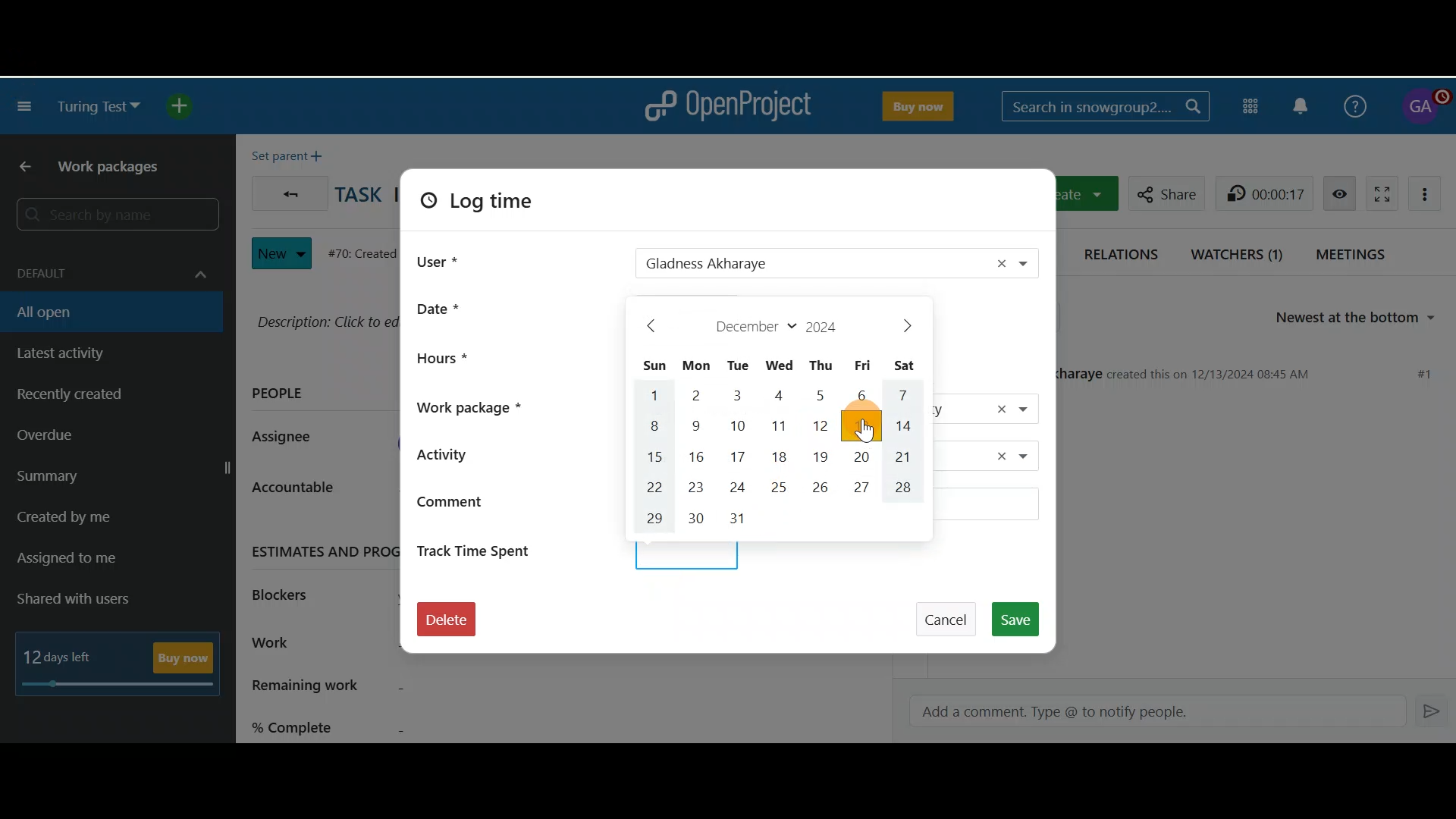 The width and height of the screenshot is (1456, 819). What do you see at coordinates (1032, 458) in the screenshot?
I see `Activity dropdown` at bounding box center [1032, 458].